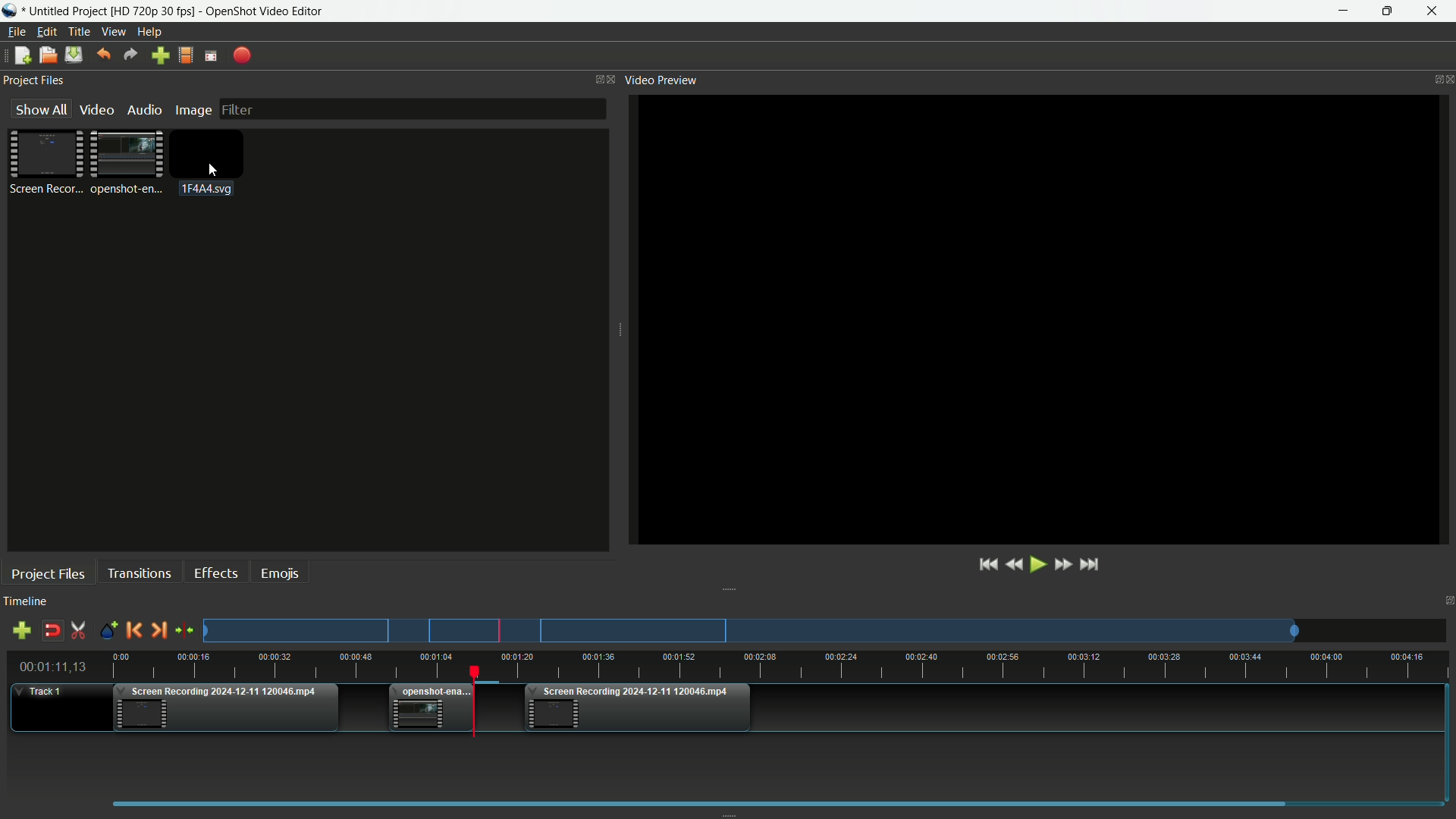 The width and height of the screenshot is (1456, 819). What do you see at coordinates (12, 11) in the screenshot?
I see `App icon` at bounding box center [12, 11].